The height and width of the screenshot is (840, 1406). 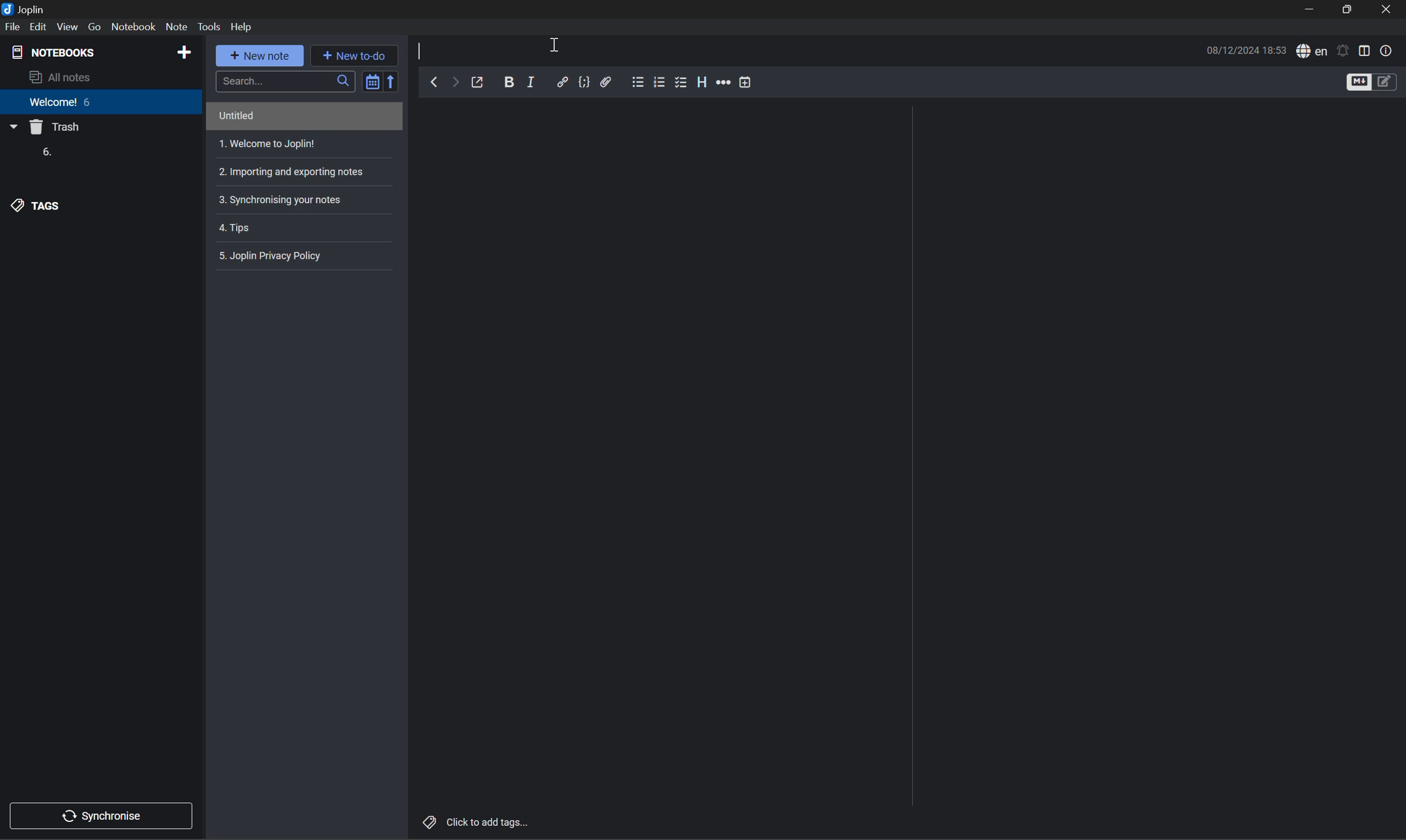 I want to click on Drop Down, so click(x=12, y=128).